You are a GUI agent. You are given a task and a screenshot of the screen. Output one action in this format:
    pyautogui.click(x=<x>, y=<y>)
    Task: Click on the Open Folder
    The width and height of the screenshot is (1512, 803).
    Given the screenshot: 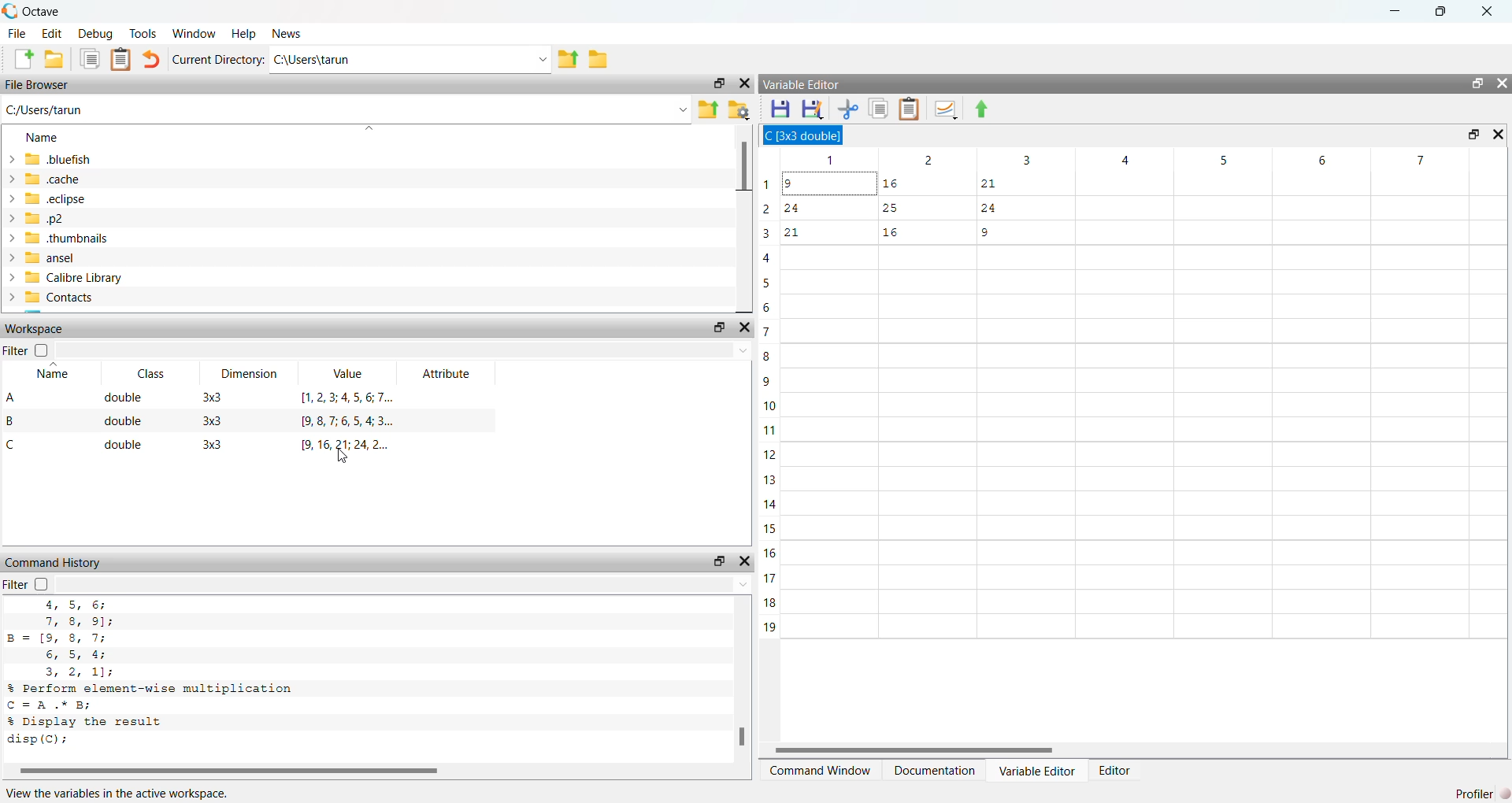 What is the action you would take?
    pyautogui.click(x=54, y=59)
    